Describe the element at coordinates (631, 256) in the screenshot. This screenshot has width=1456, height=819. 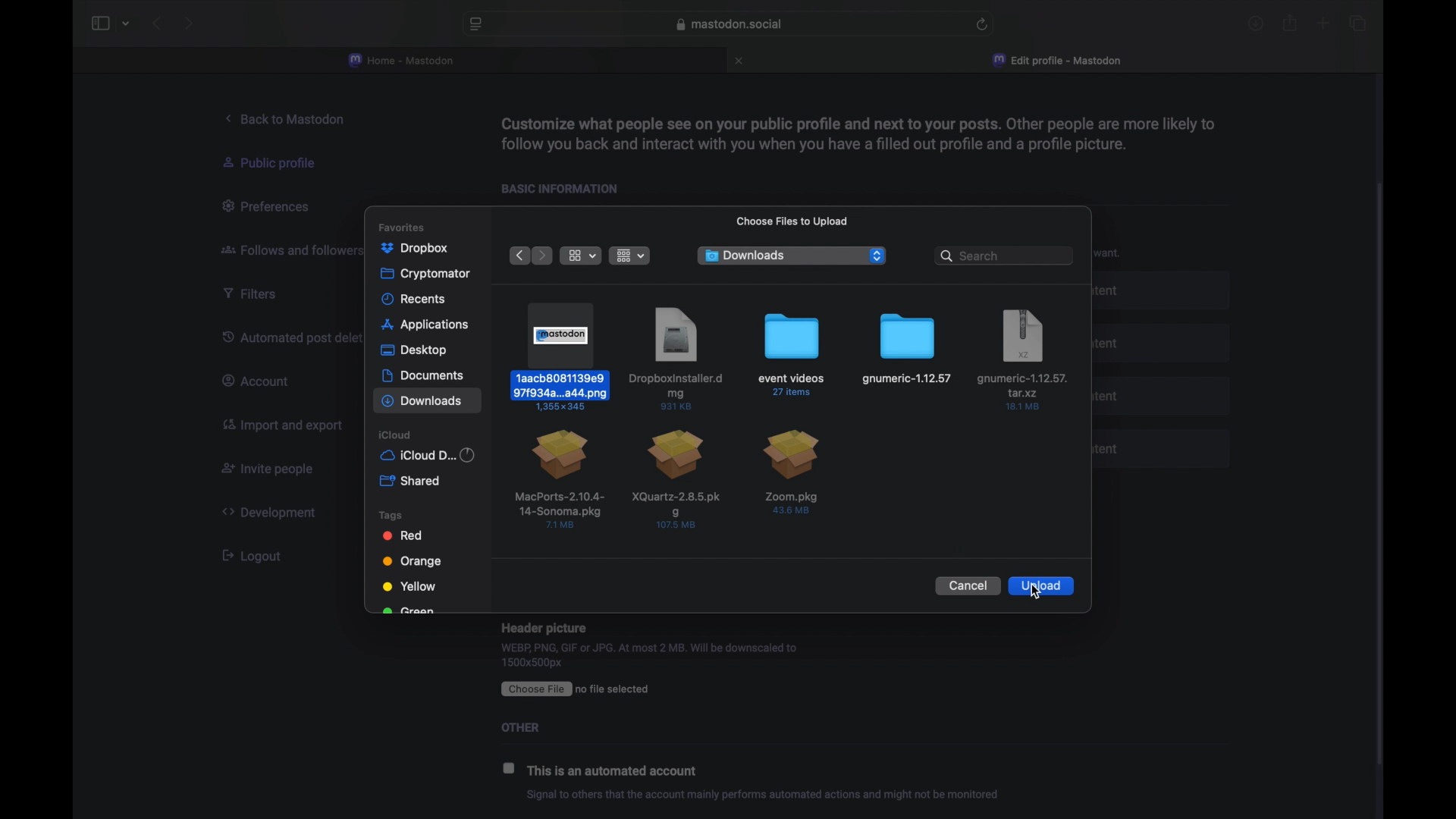
I see `change item grouping` at that location.